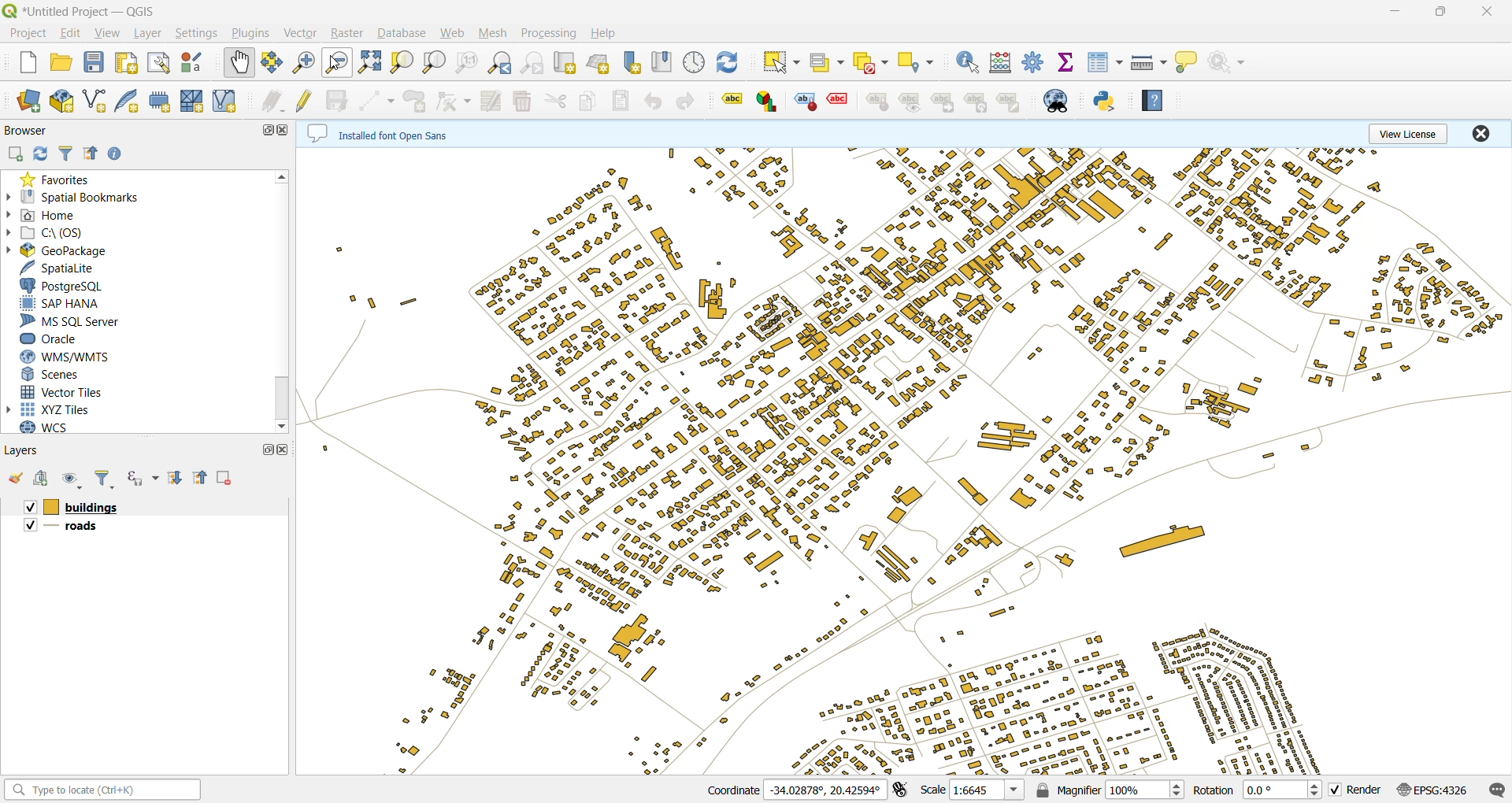 The height and width of the screenshot is (803, 1512). I want to click on coordinates, so click(792, 790).